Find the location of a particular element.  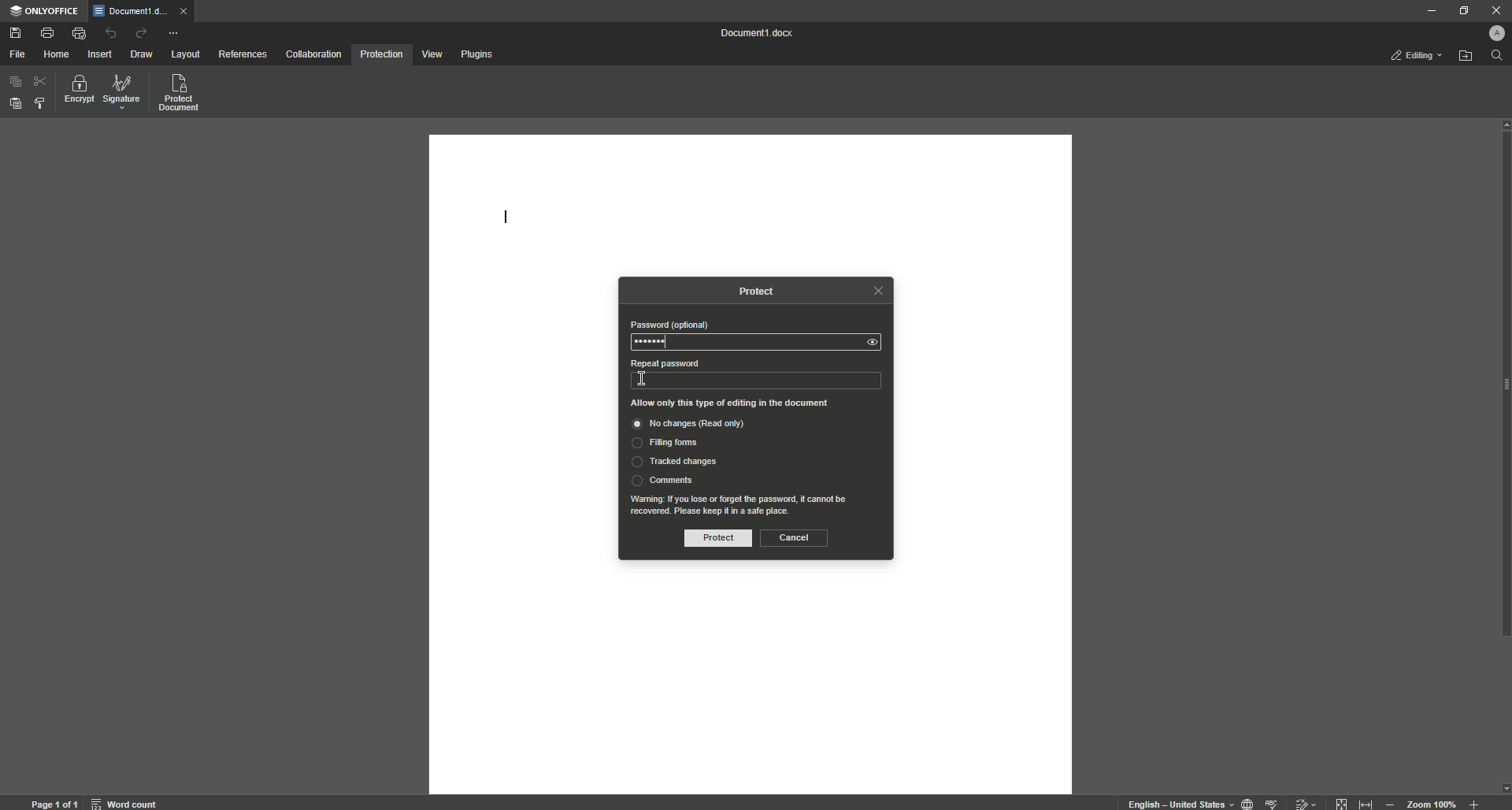

Save is located at coordinates (17, 33).